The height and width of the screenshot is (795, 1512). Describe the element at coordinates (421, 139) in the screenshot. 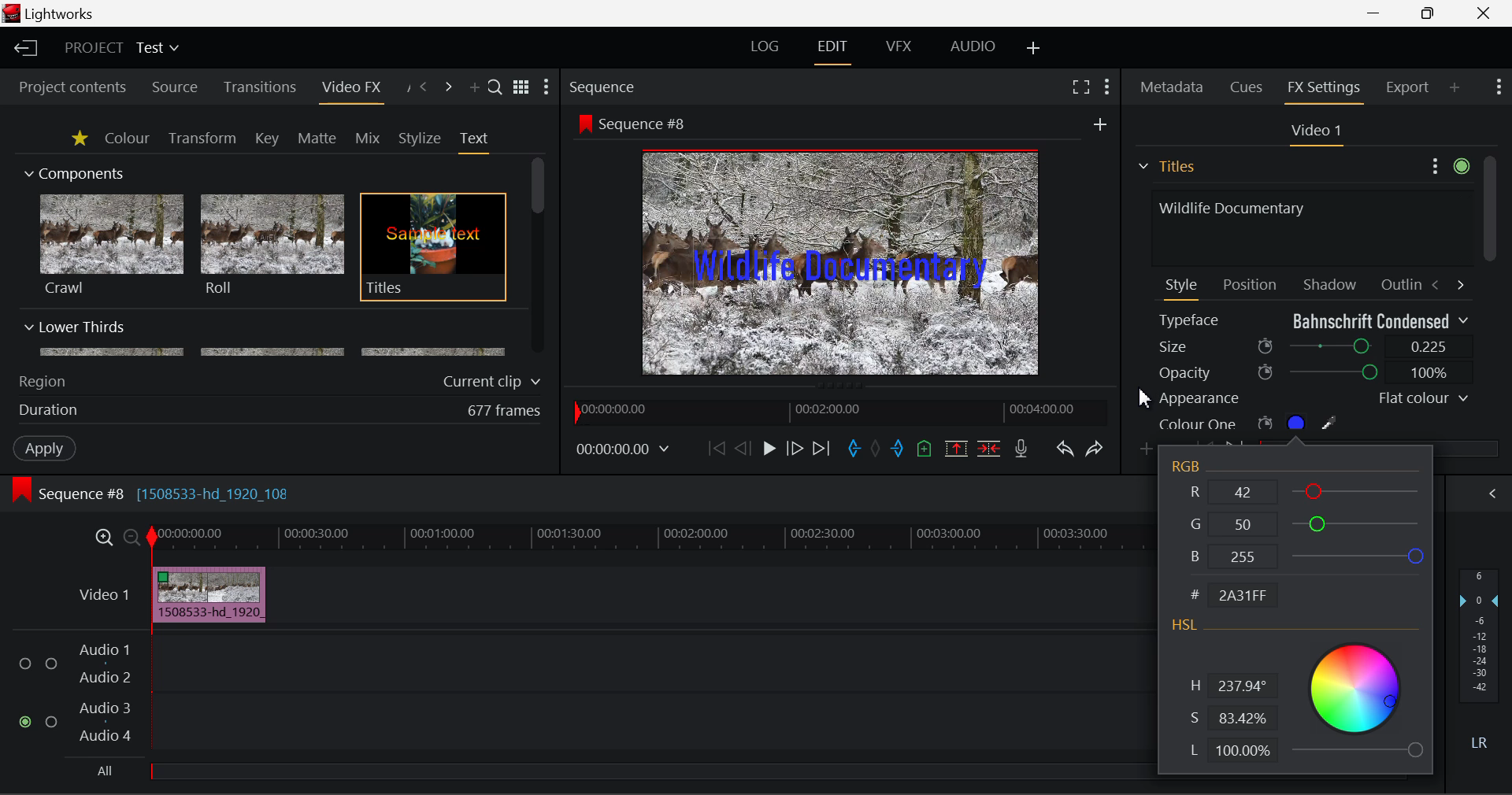

I see `Stylize` at that location.